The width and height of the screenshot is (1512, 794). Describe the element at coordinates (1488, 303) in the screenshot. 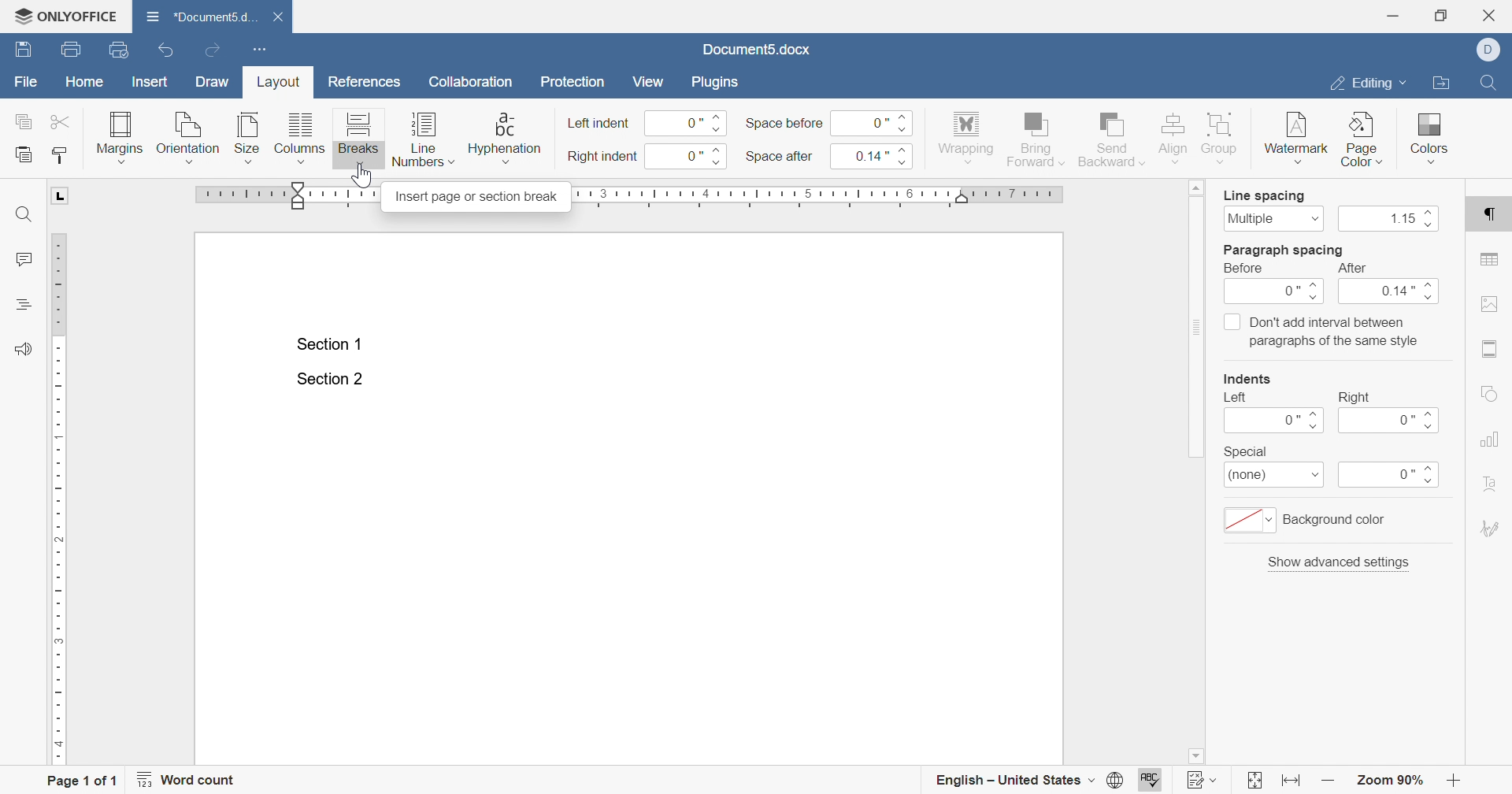

I see `image settings` at that location.